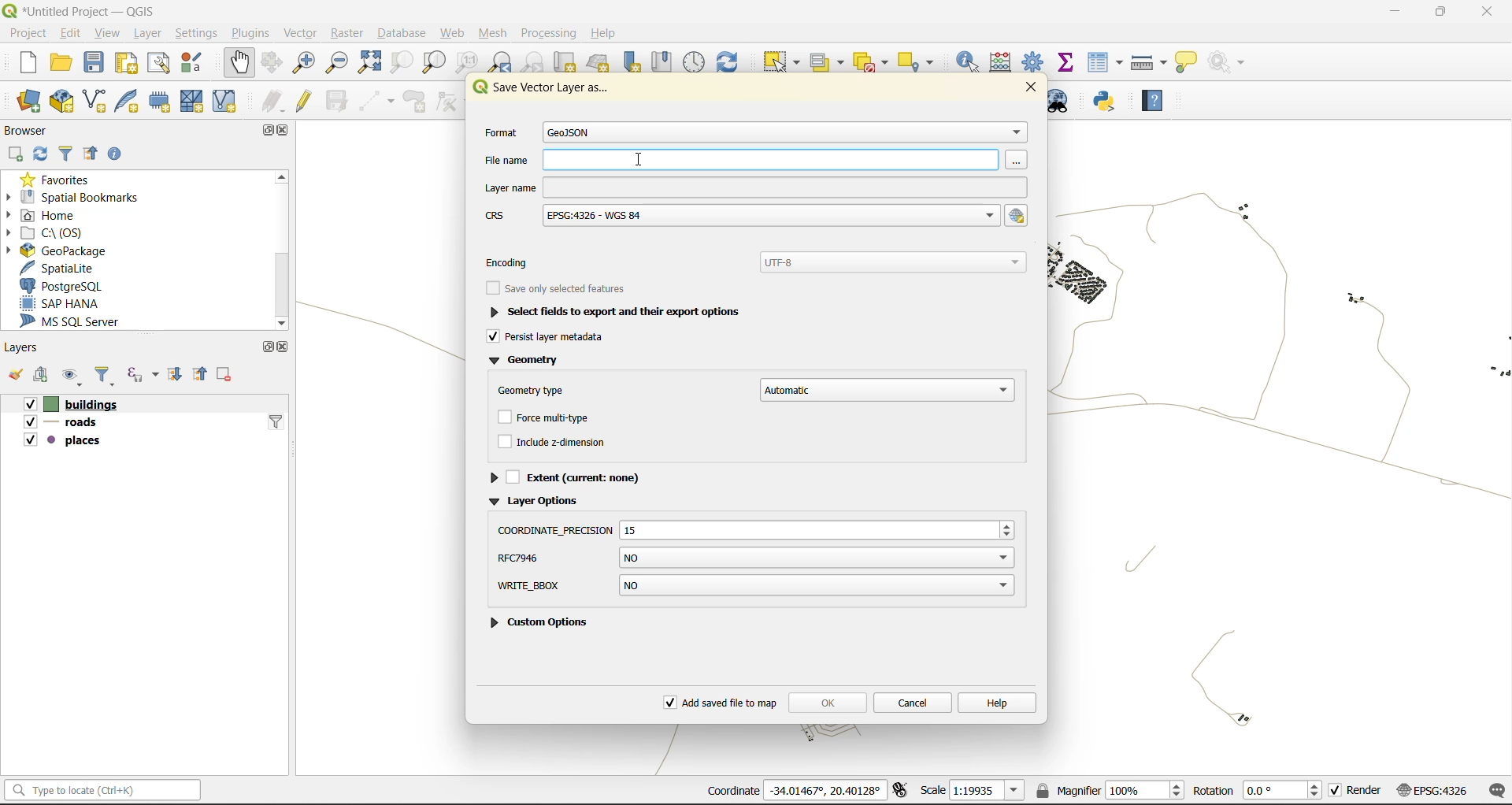 Image resolution: width=1512 pixels, height=805 pixels. What do you see at coordinates (827, 700) in the screenshot?
I see `ok` at bounding box center [827, 700].